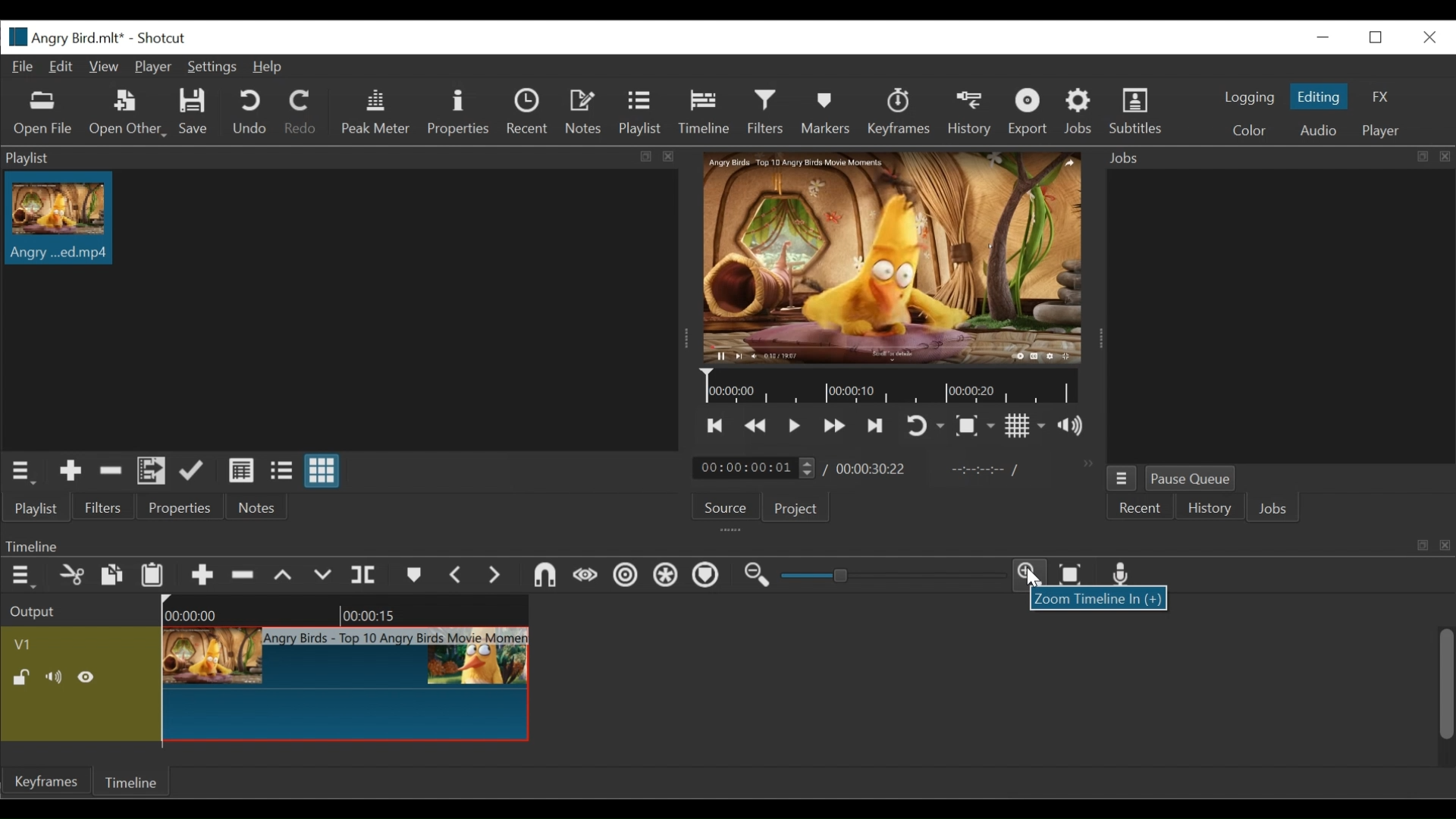 Image resolution: width=1456 pixels, height=819 pixels. I want to click on Output, so click(33, 611).